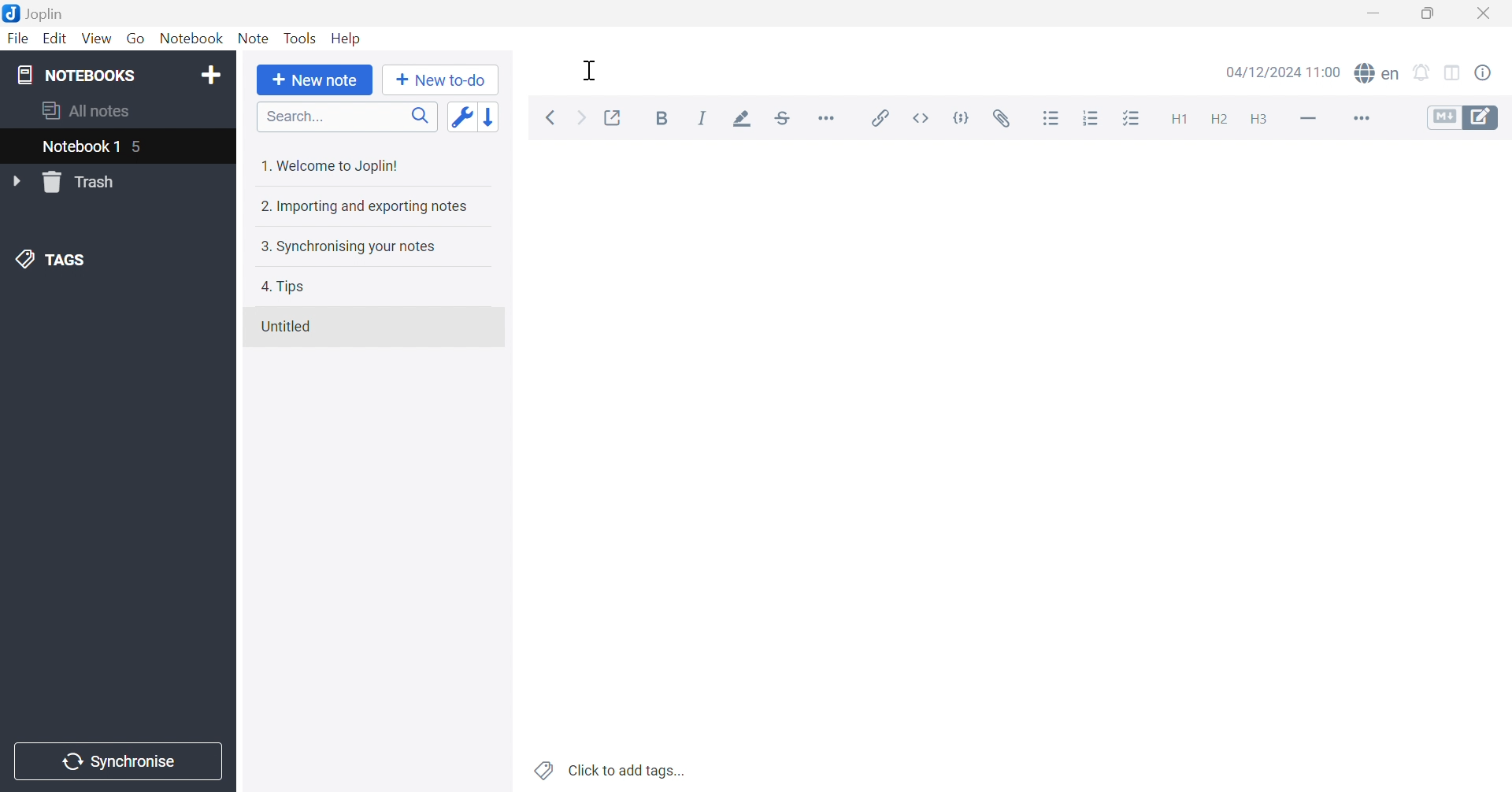 The width and height of the screenshot is (1512, 792). Describe the element at coordinates (35, 12) in the screenshot. I see `Joplin` at that location.